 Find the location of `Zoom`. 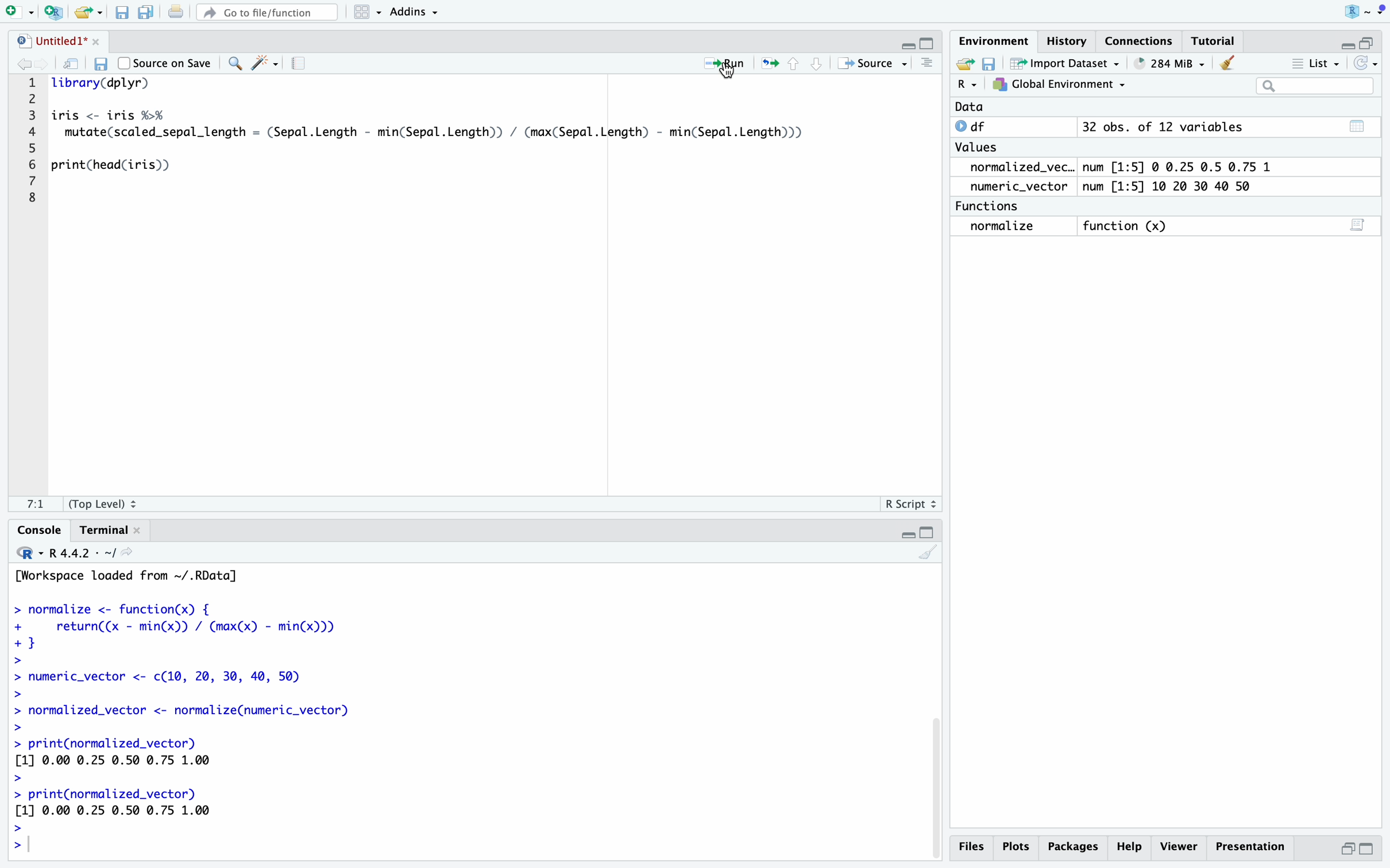

Zoom is located at coordinates (233, 62).